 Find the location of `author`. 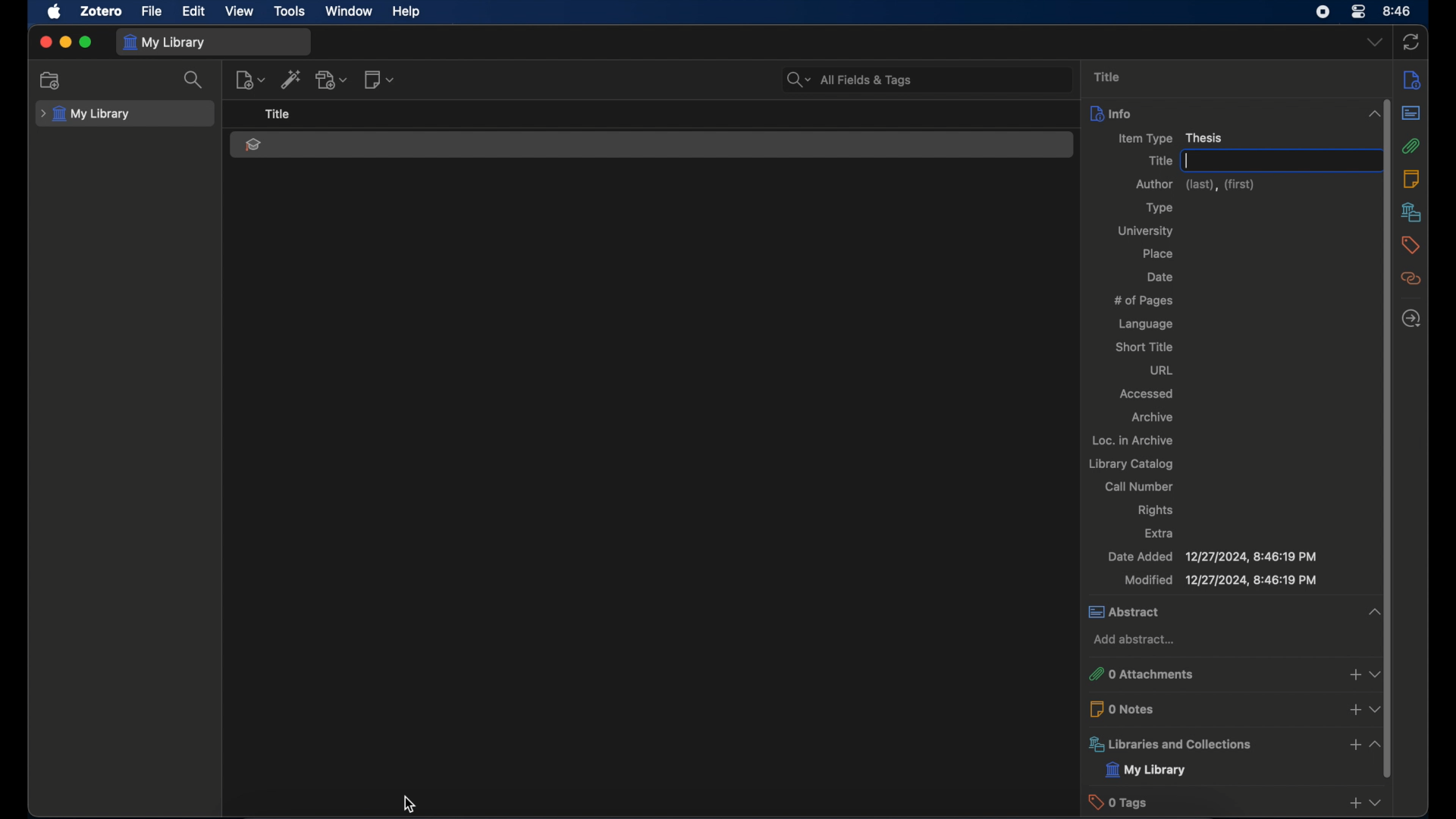

author is located at coordinates (1195, 185).